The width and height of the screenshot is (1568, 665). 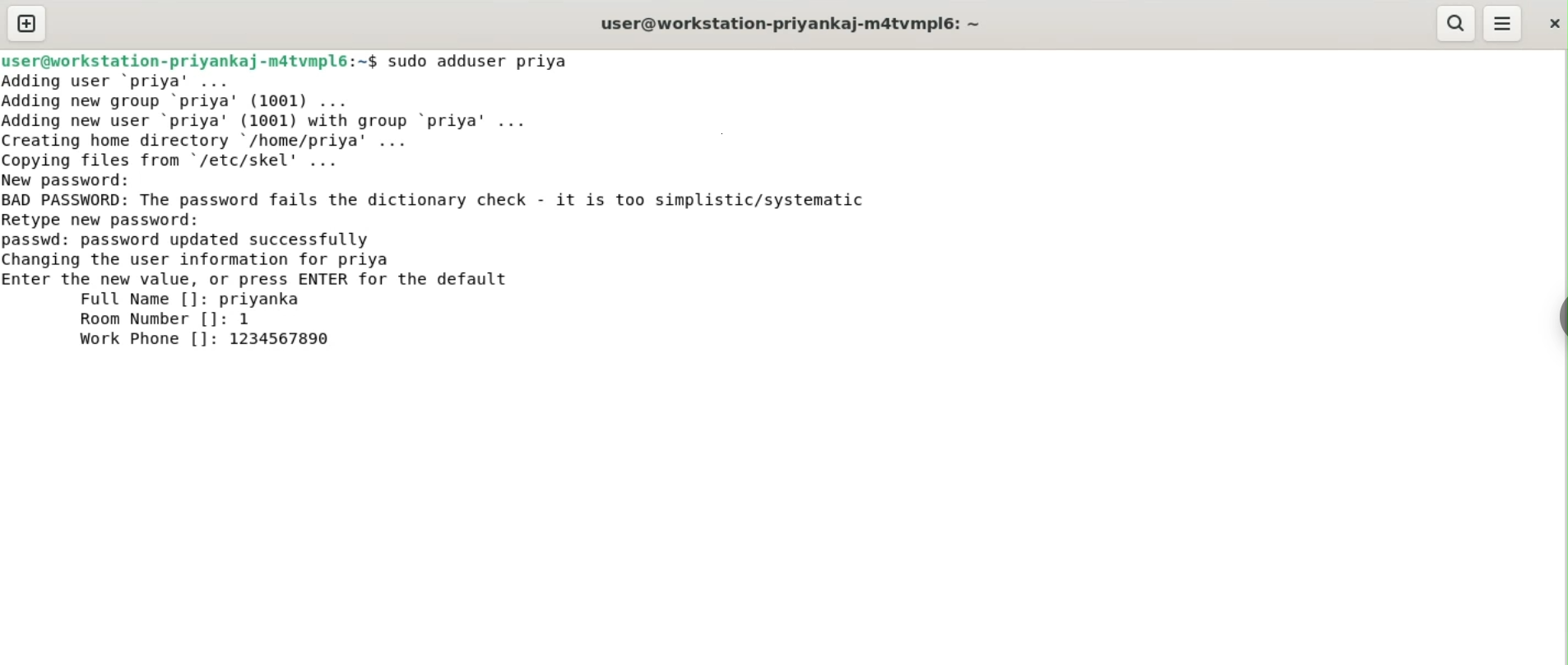 I want to click on Adding user ‘priya’ ...

Adding new group ‘priya’ (1001) ...

Adding new user ‘priya' (1001) with group ‘priya’ ...
Creating home directory /home/priya’ ...

Copving files from "/etc/skel' ..., so click(x=318, y=119).